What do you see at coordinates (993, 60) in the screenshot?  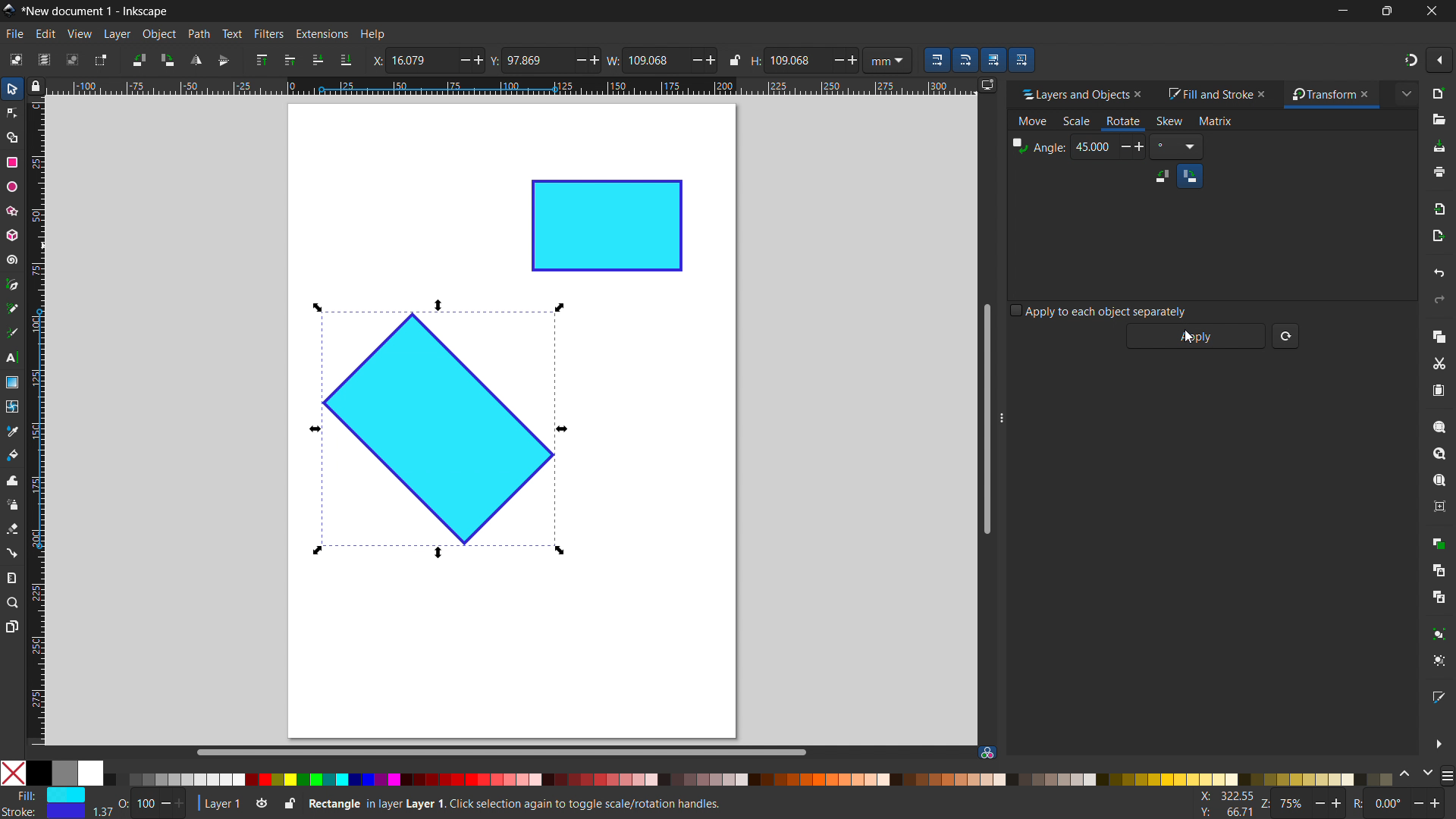 I see `move gradients along with the objects` at bounding box center [993, 60].